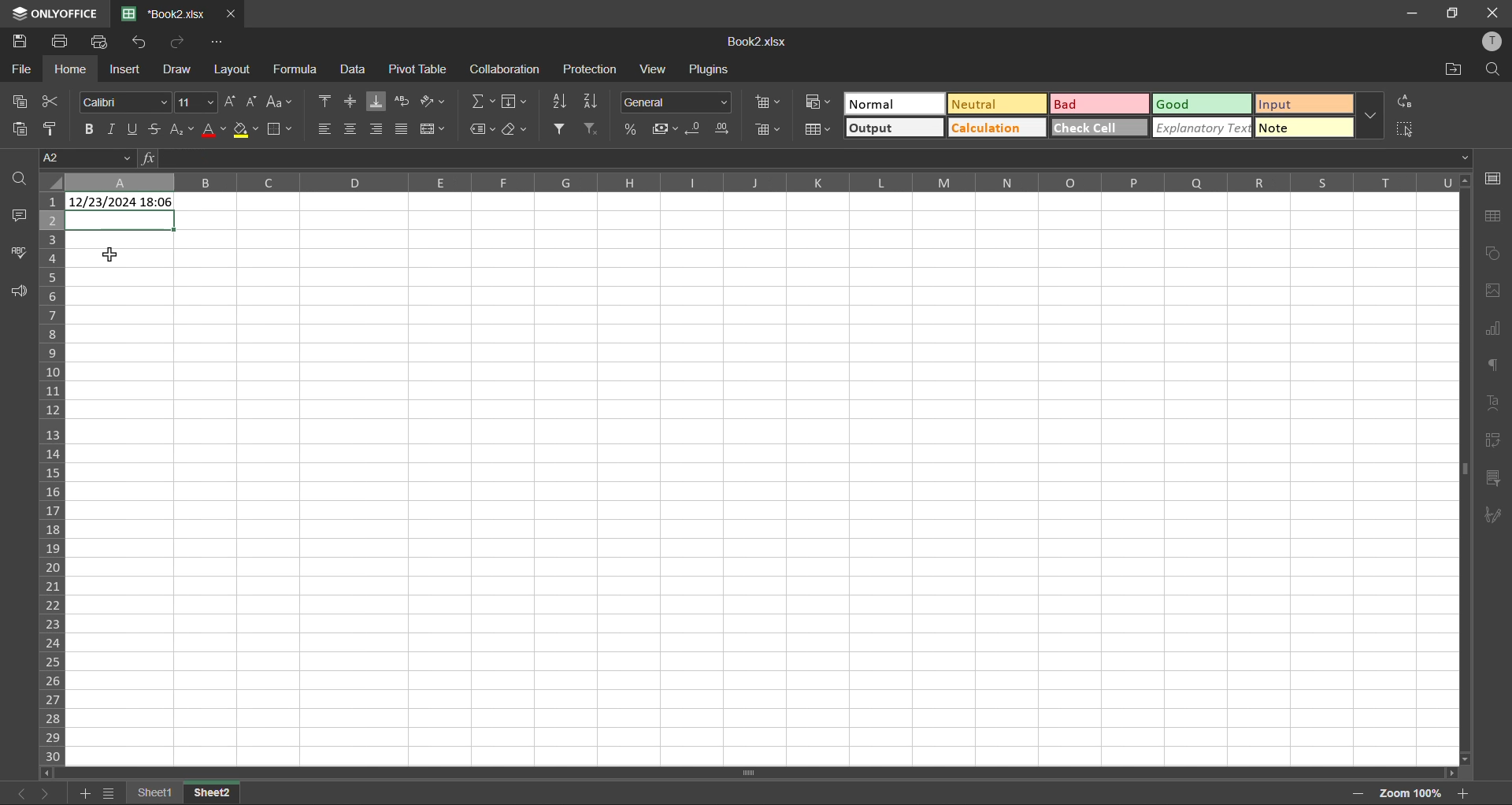  Describe the element at coordinates (1492, 328) in the screenshot. I see `charts` at that location.